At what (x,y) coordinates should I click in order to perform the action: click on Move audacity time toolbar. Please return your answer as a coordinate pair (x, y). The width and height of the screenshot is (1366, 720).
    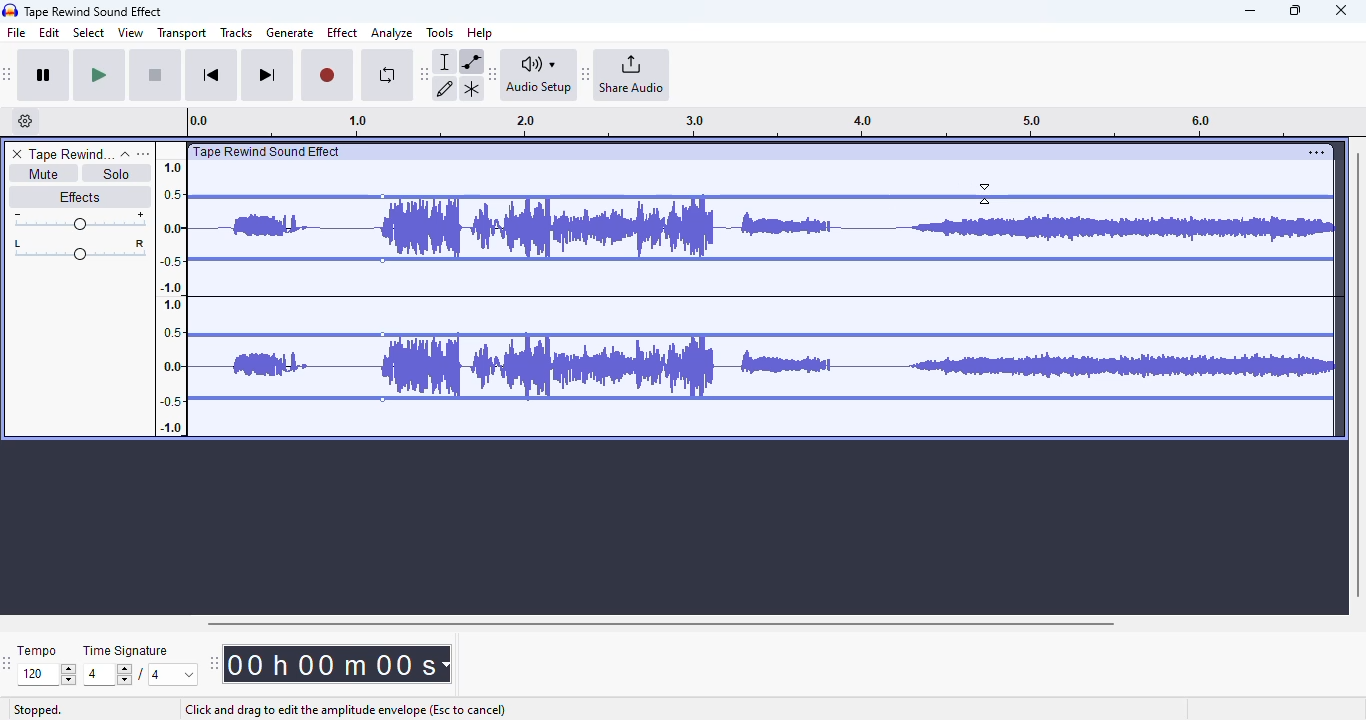
    Looking at the image, I should click on (213, 663).